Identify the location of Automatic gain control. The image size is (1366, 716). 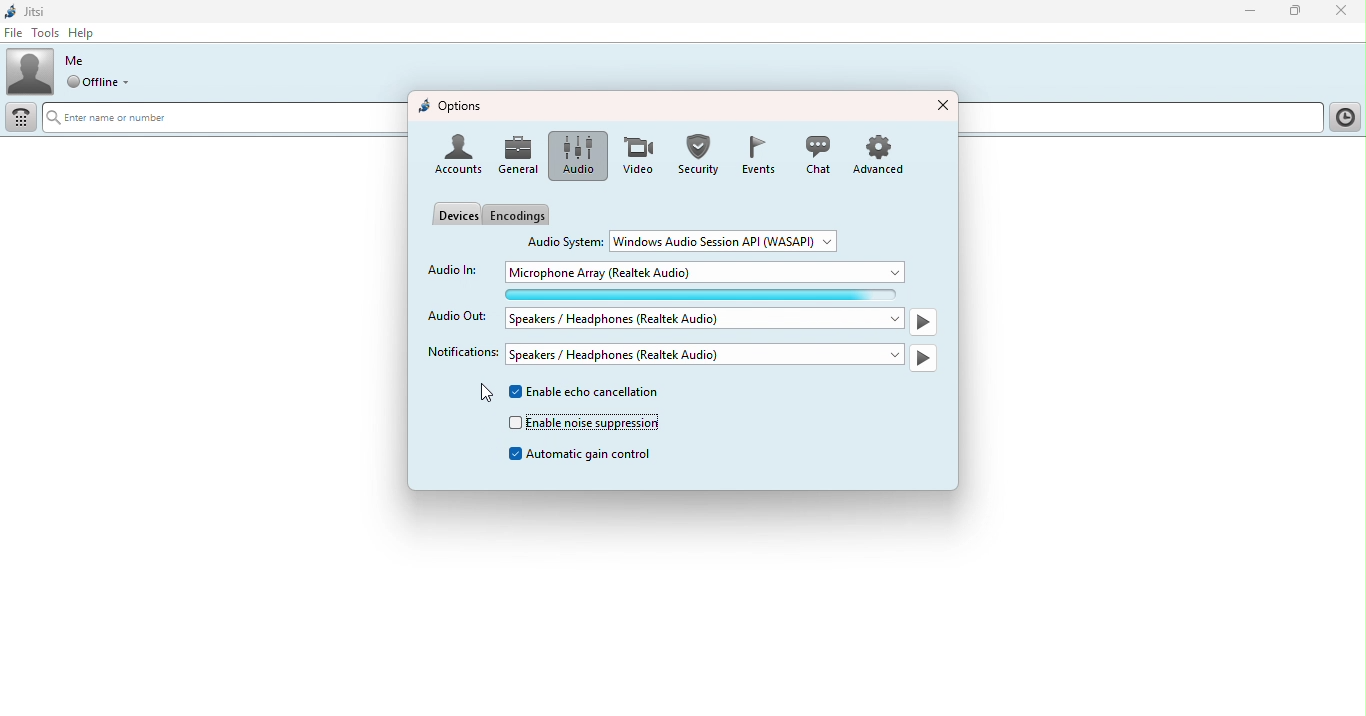
(585, 455).